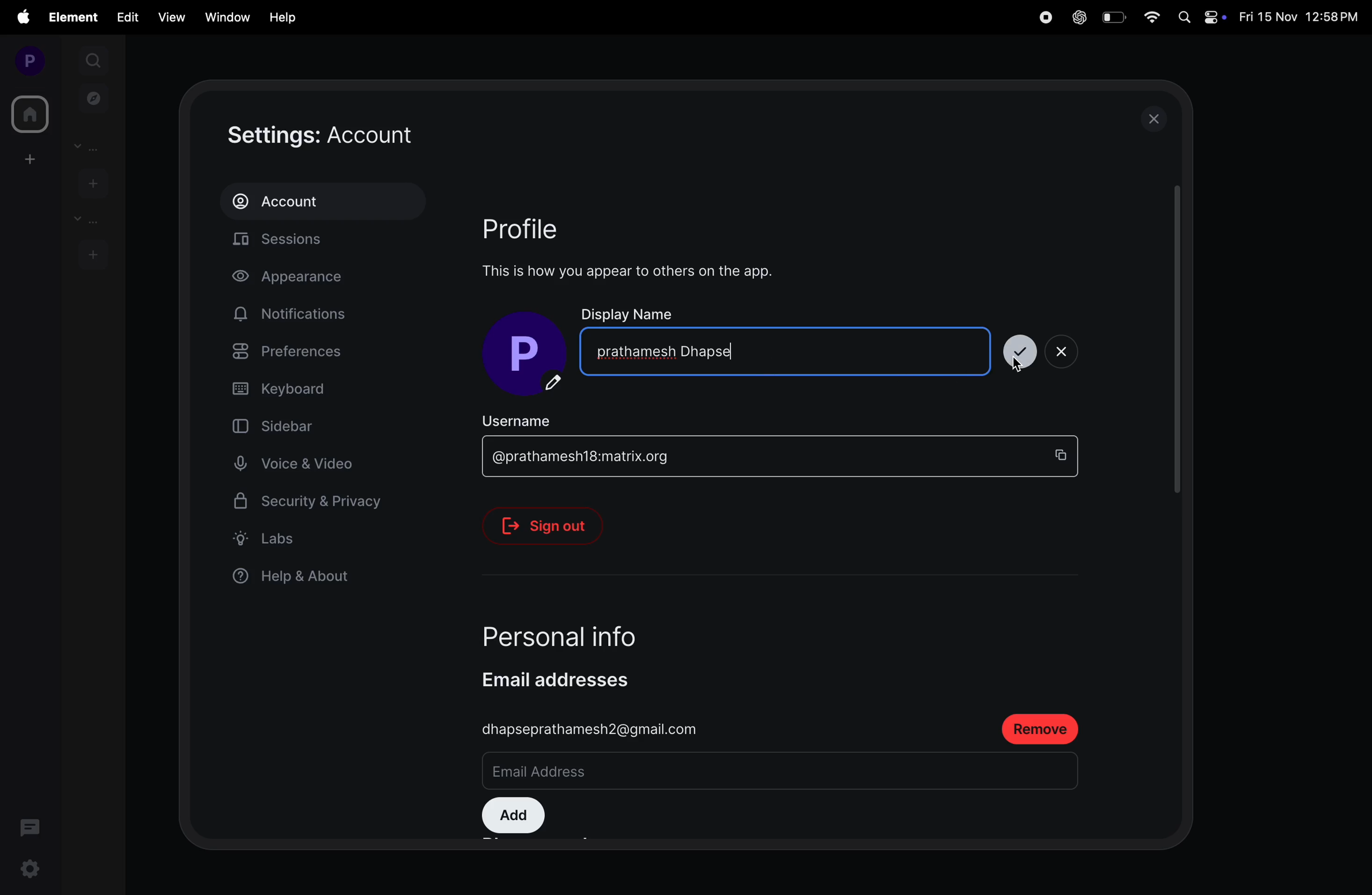 The height and width of the screenshot is (895, 1372). What do you see at coordinates (31, 826) in the screenshot?
I see `threads` at bounding box center [31, 826].